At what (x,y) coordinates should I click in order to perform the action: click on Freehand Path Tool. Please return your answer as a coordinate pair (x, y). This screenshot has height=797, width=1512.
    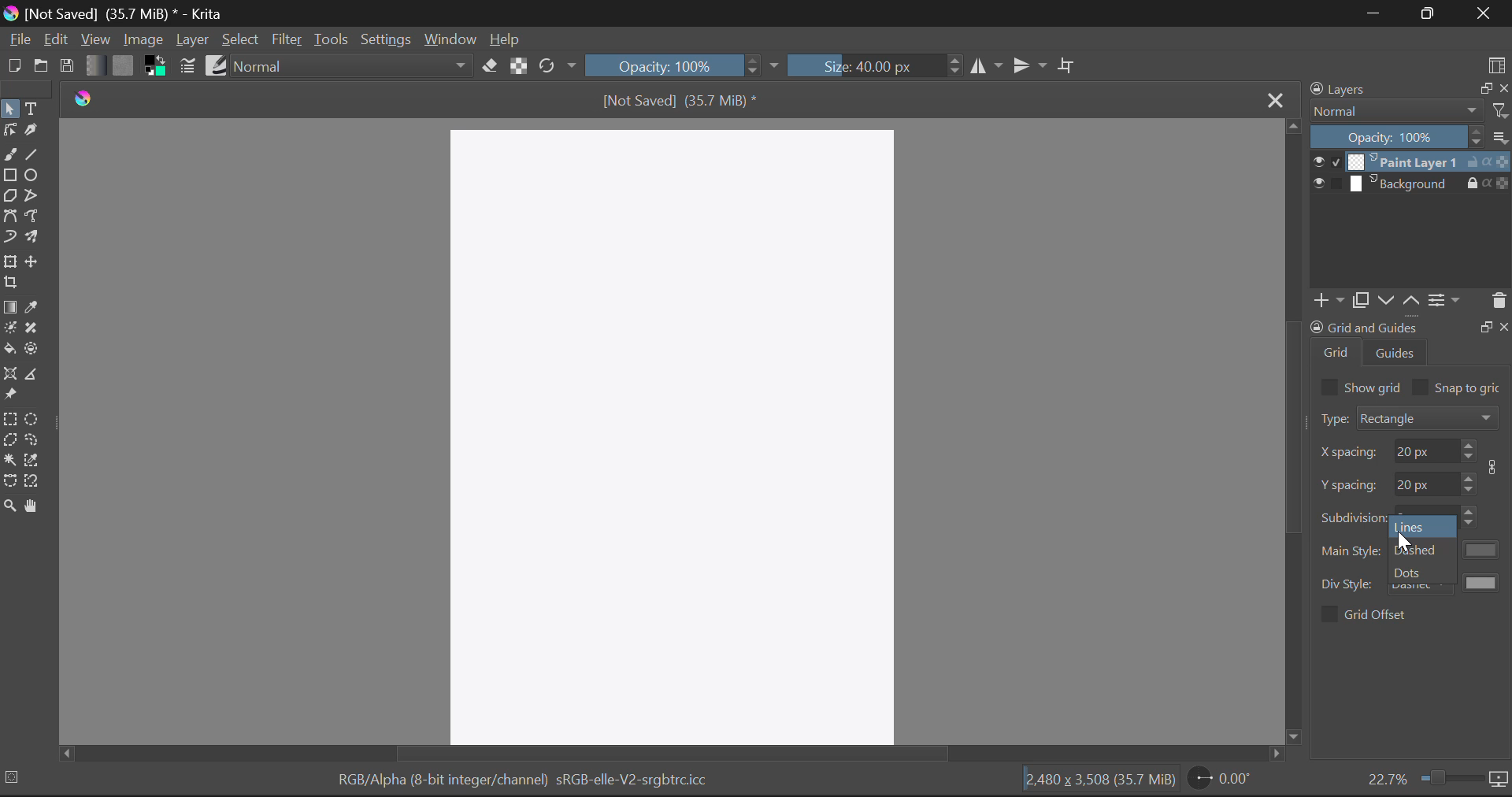
    Looking at the image, I should click on (36, 218).